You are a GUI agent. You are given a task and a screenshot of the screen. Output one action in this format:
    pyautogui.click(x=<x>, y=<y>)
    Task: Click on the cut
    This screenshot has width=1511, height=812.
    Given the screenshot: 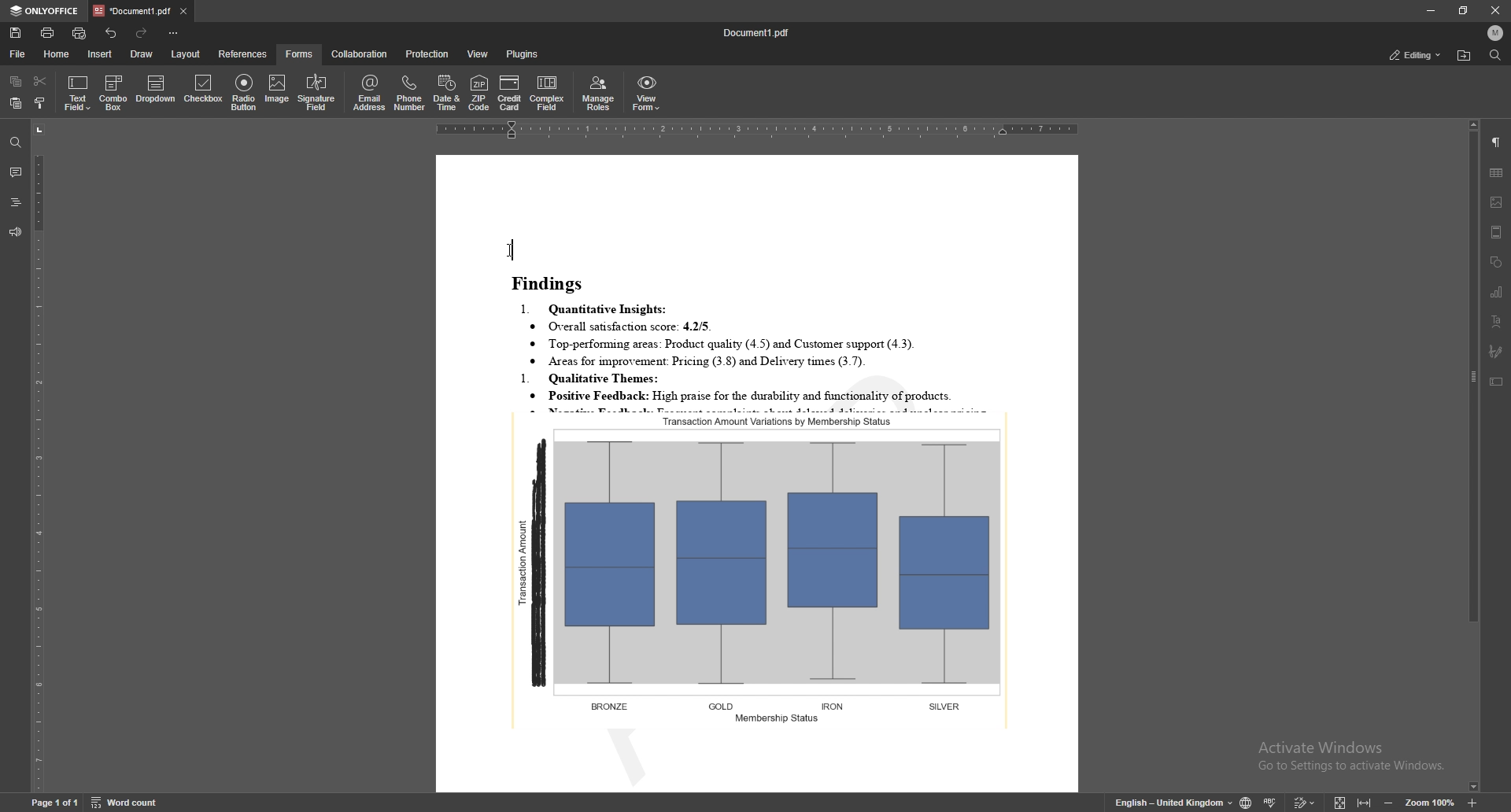 What is the action you would take?
    pyautogui.click(x=40, y=79)
    